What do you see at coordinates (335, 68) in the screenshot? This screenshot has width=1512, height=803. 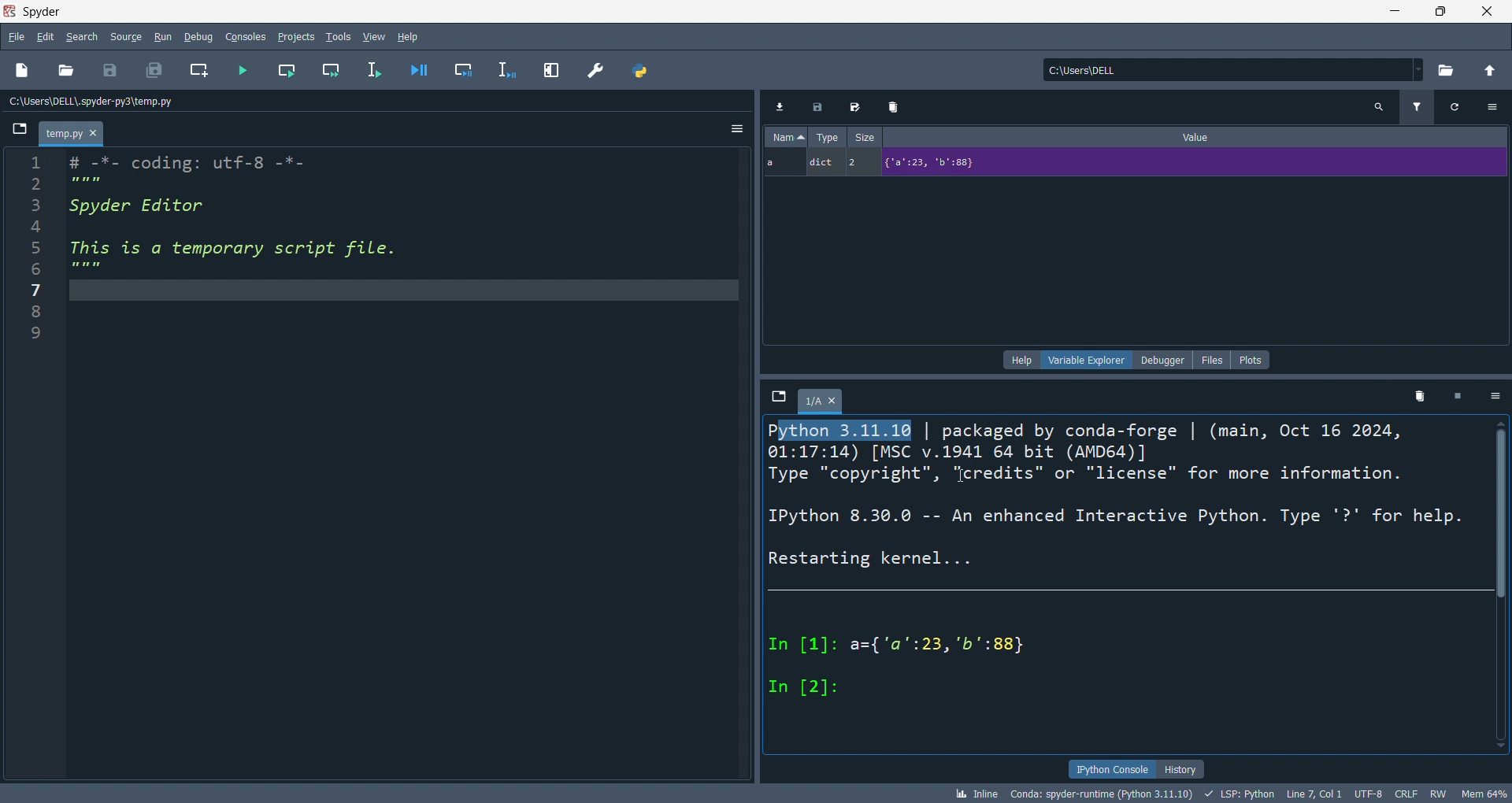 I see `run cell and move` at bounding box center [335, 68].